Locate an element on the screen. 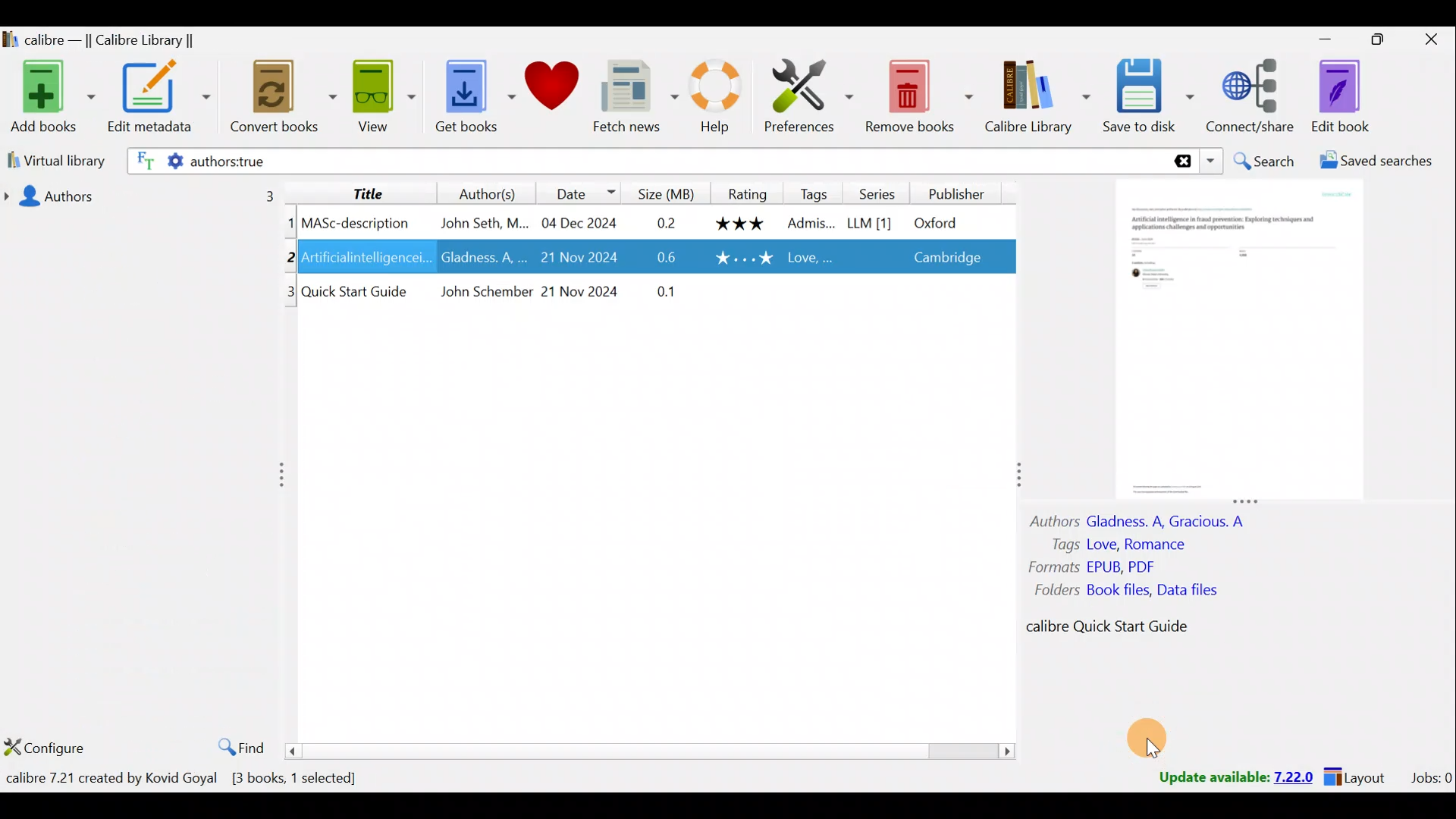 The width and height of the screenshot is (1456, 819). Size is located at coordinates (666, 191).